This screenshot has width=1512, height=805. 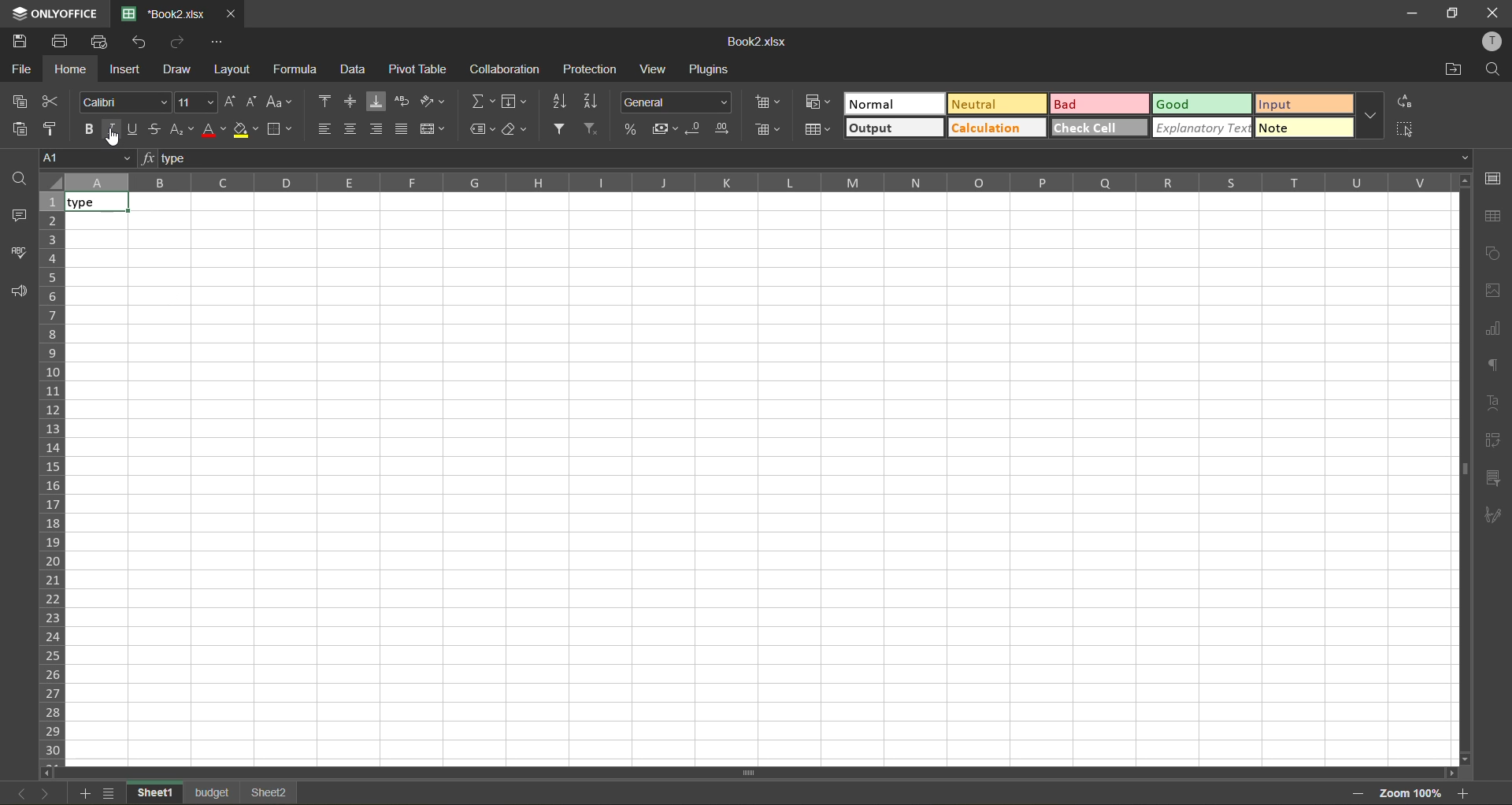 What do you see at coordinates (893, 128) in the screenshot?
I see `output` at bounding box center [893, 128].